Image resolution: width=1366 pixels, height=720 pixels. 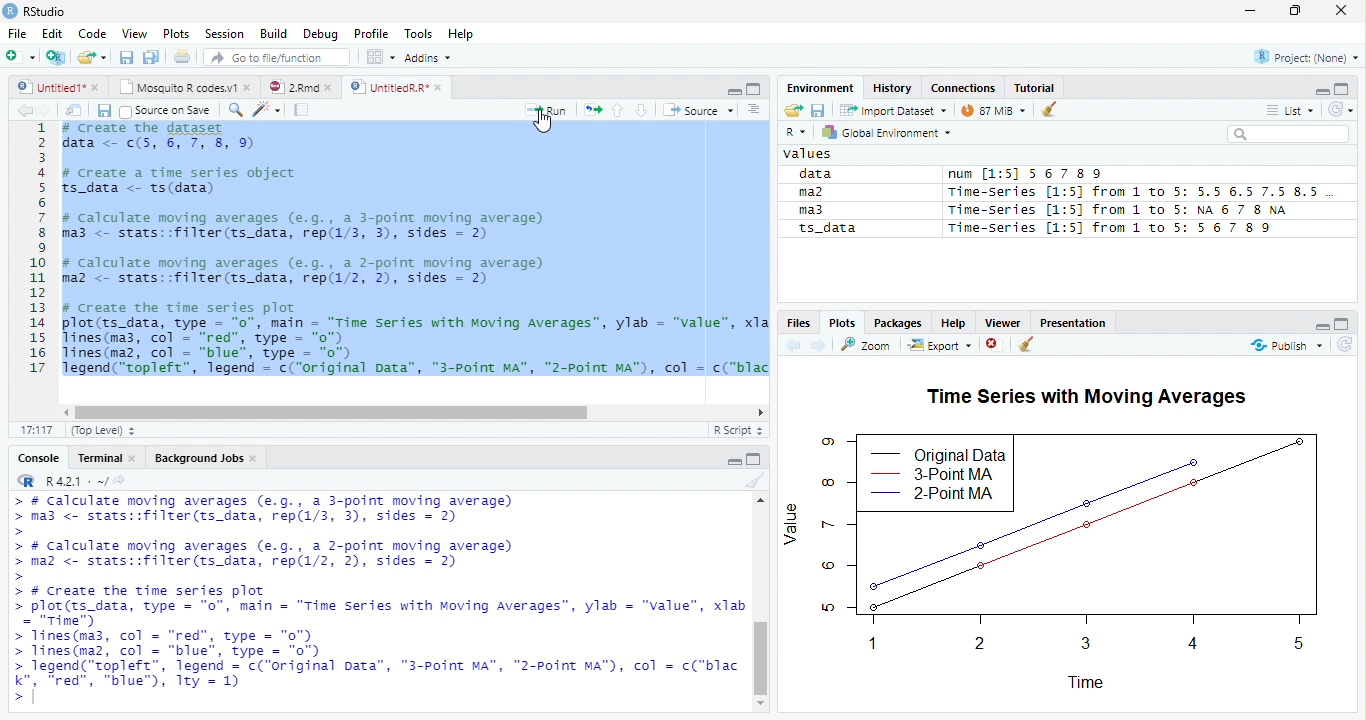 I want to click on Refresh, so click(x=1341, y=110).